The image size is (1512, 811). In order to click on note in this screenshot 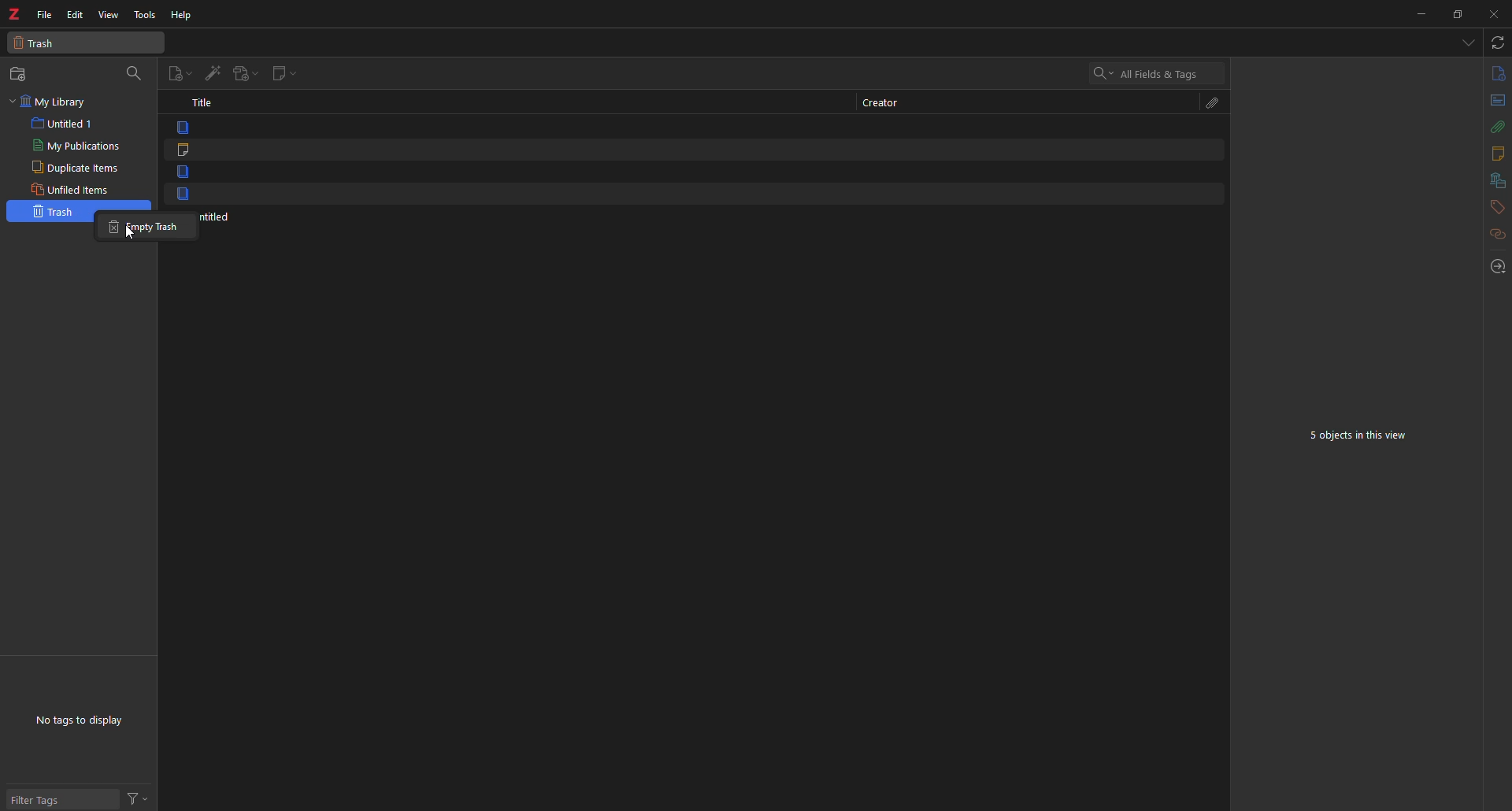, I will do `click(182, 150)`.